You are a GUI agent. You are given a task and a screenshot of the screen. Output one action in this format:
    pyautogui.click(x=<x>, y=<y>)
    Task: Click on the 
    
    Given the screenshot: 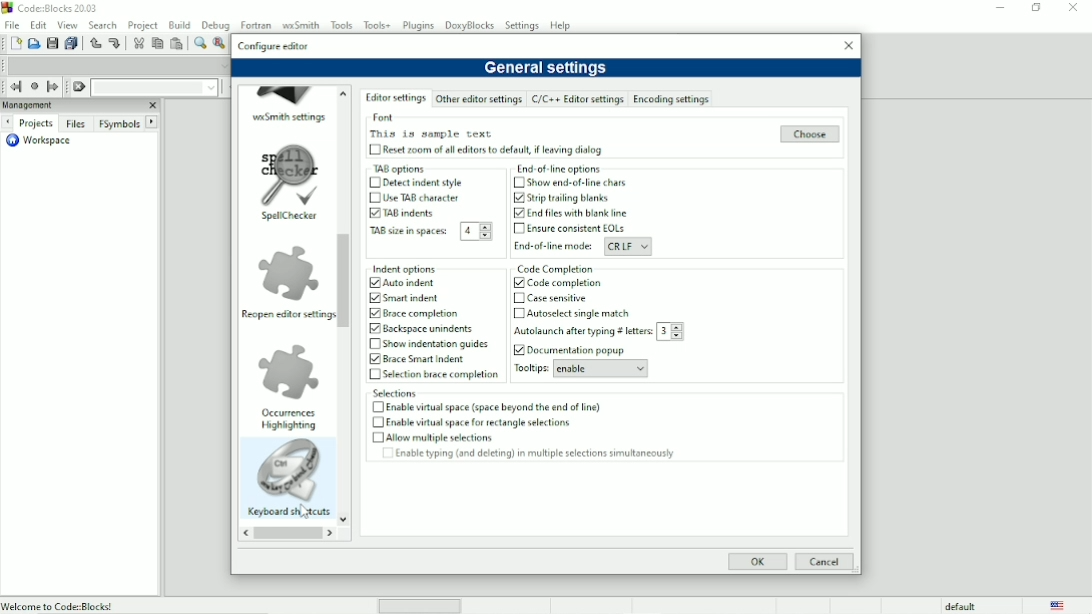 What is the action you would take?
    pyautogui.click(x=517, y=281)
    